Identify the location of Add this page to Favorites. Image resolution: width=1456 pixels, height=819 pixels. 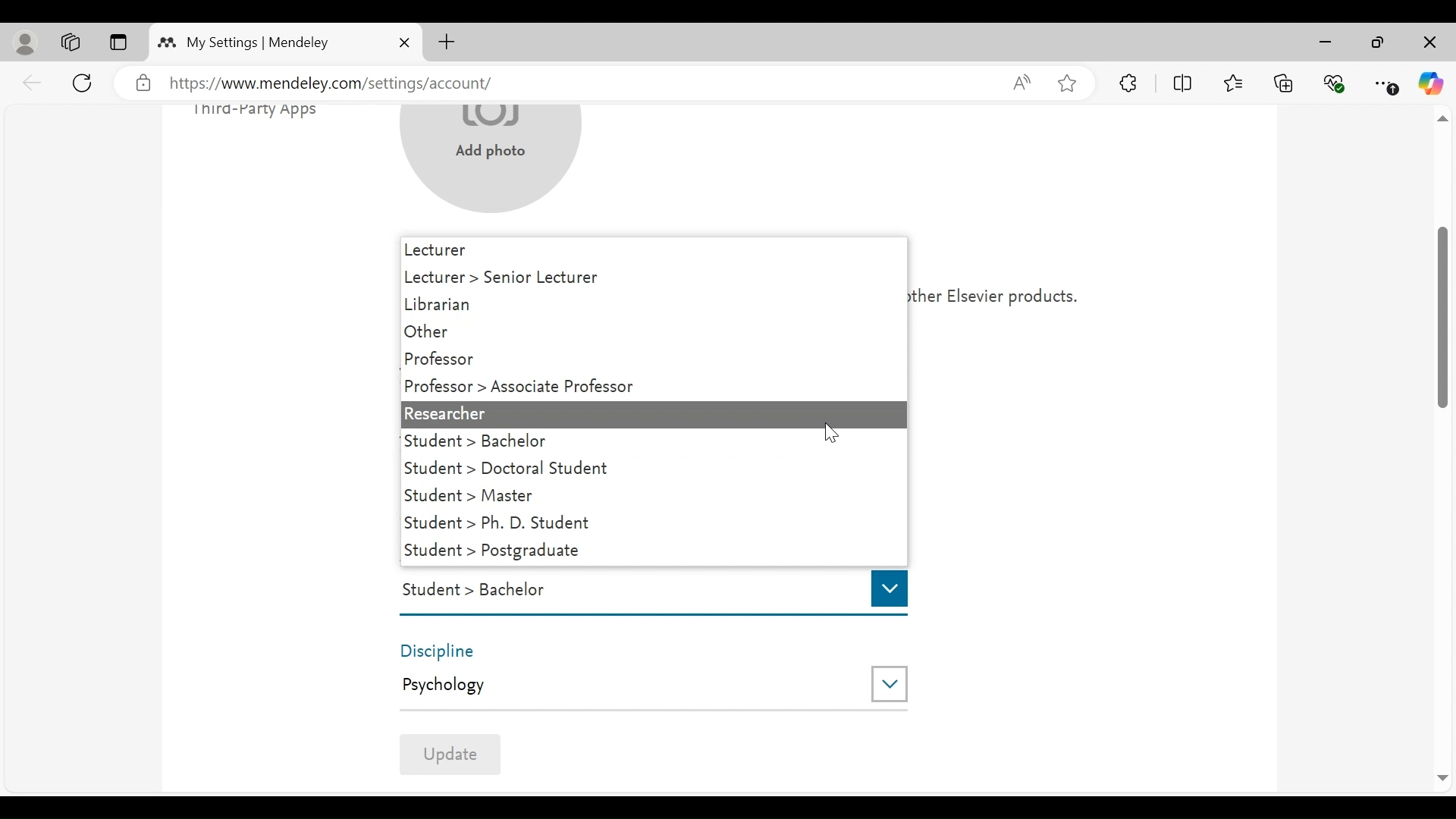
(1066, 83).